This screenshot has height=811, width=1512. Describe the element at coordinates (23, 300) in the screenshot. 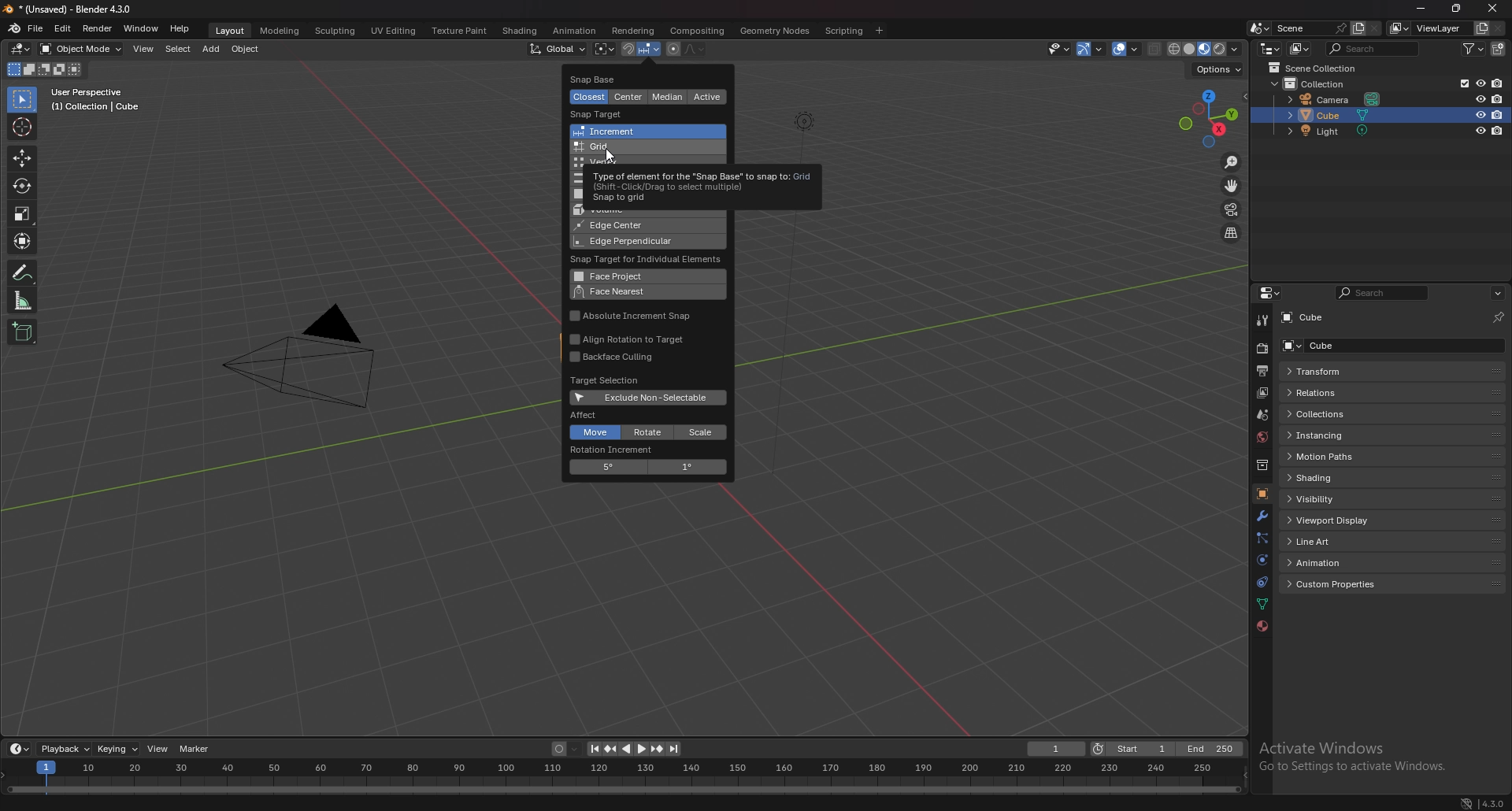

I see `measure` at that location.